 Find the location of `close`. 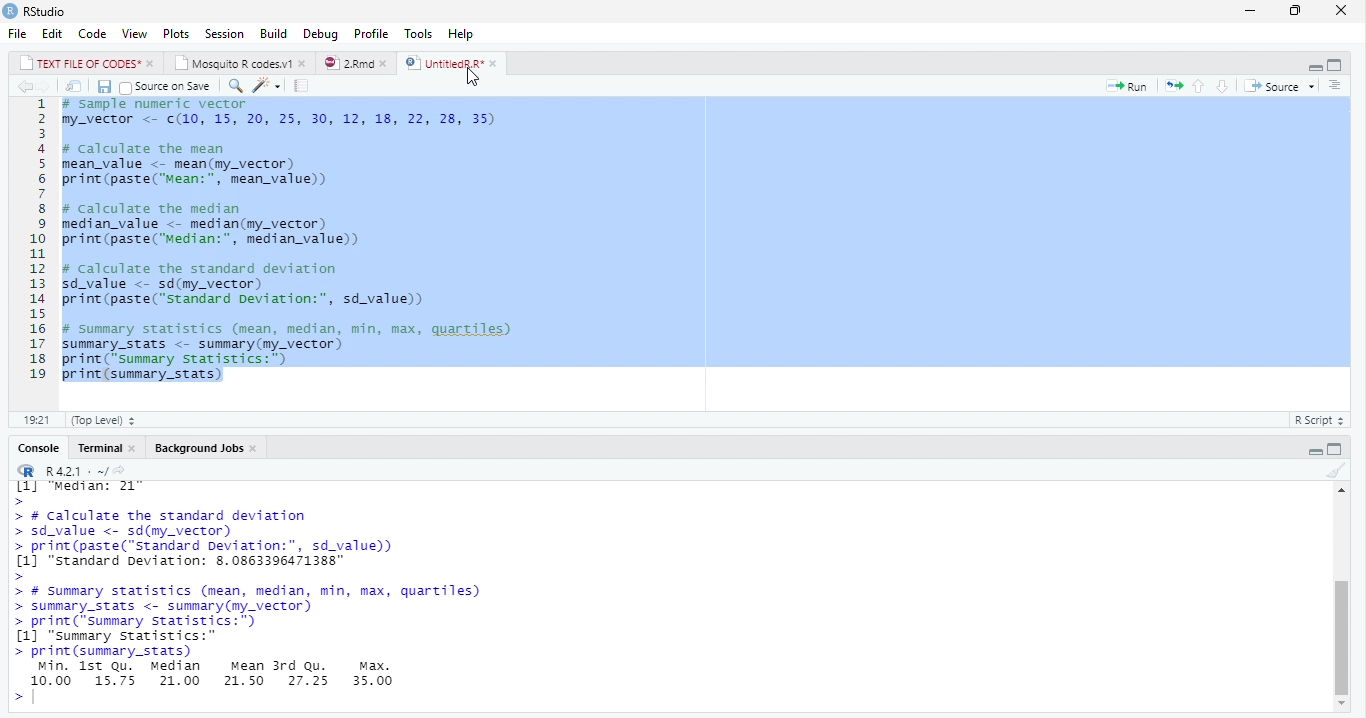

close is located at coordinates (304, 64).